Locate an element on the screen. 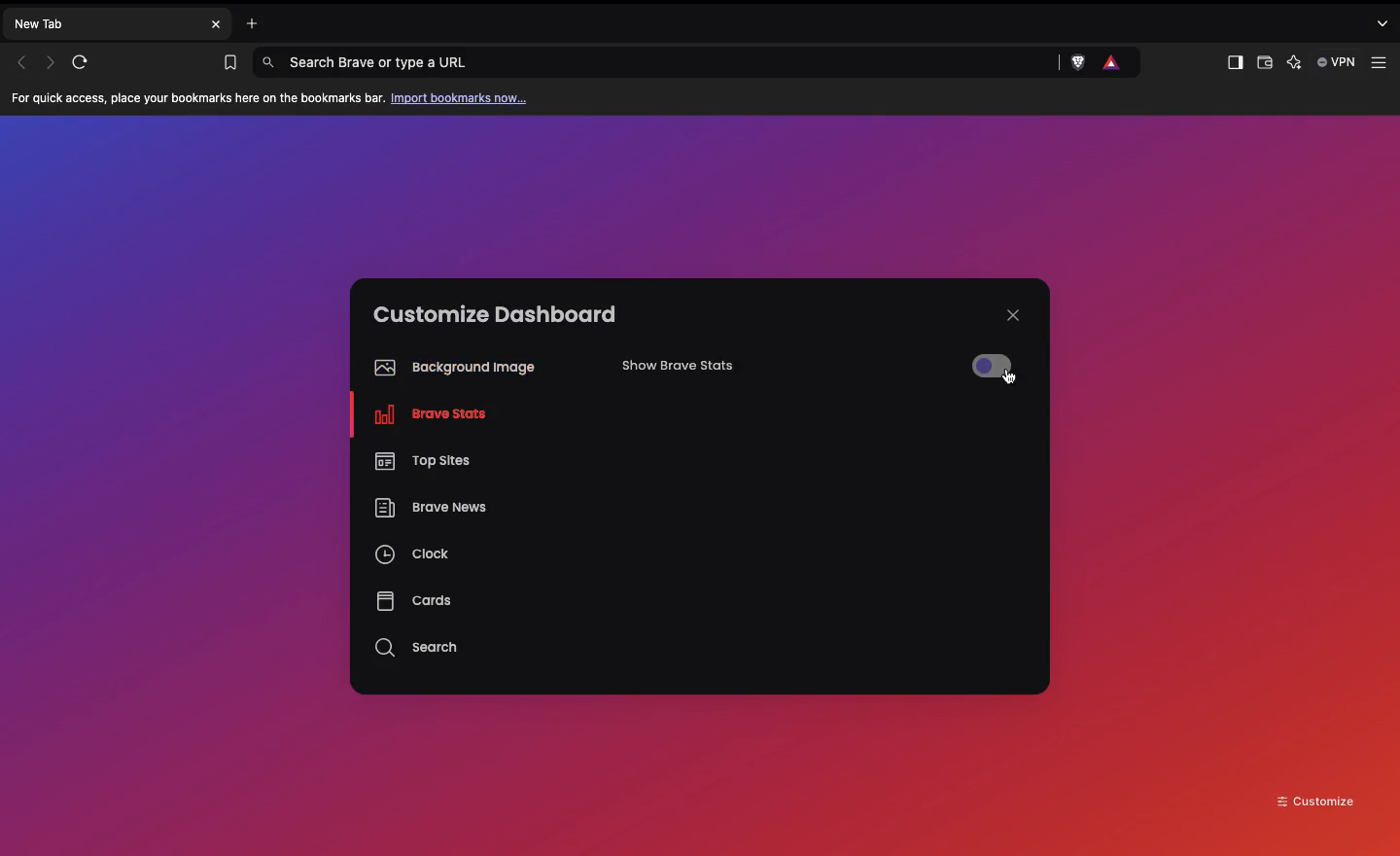  Sidebar is located at coordinates (1233, 63).